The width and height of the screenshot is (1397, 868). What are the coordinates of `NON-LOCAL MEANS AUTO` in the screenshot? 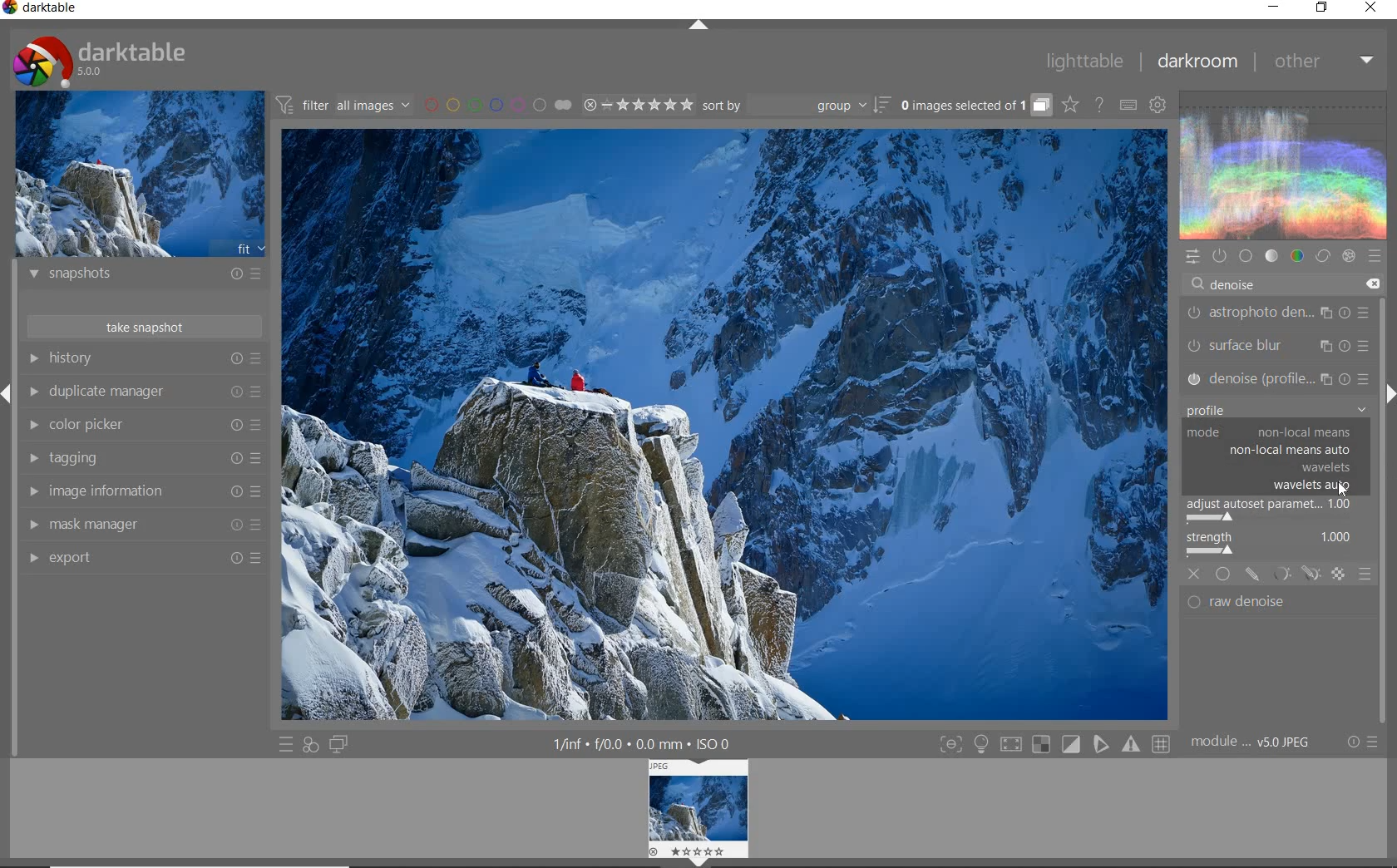 It's located at (1291, 451).